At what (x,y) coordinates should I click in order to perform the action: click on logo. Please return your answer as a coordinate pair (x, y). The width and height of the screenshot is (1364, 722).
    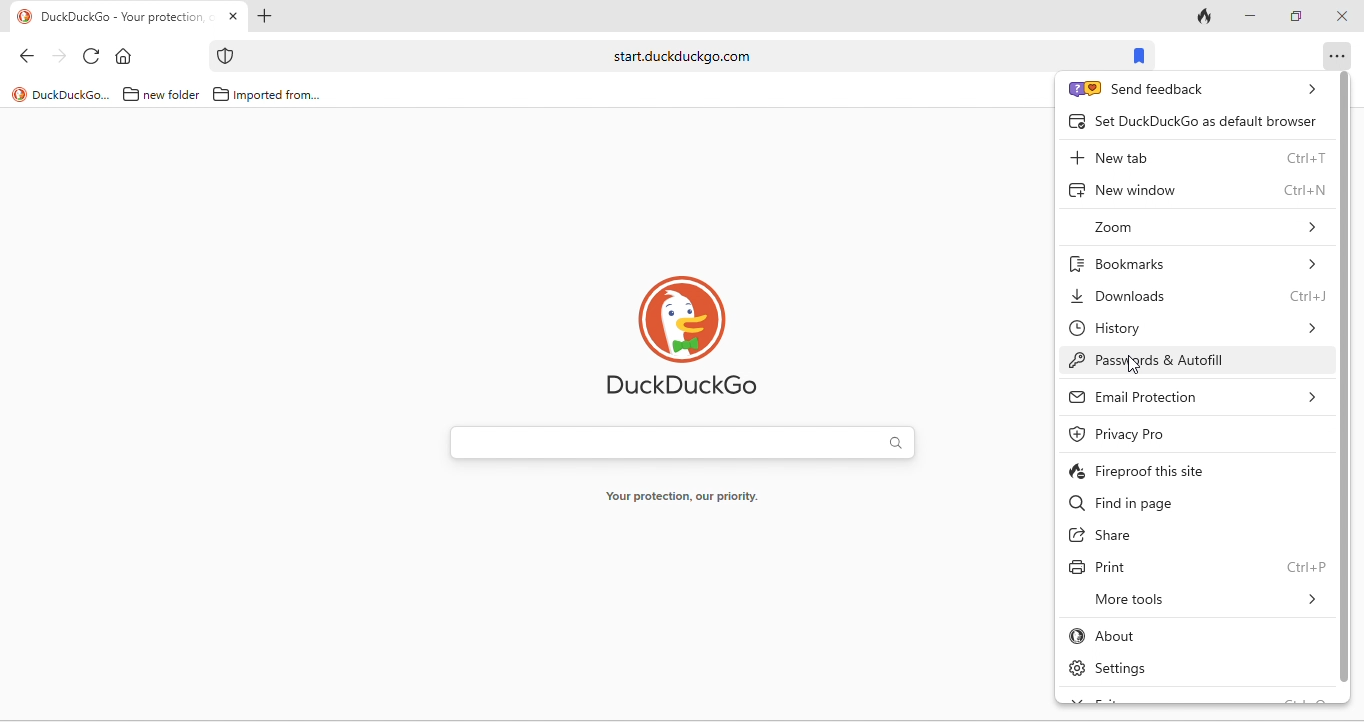
    Looking at the image, I should click on (19, 94).